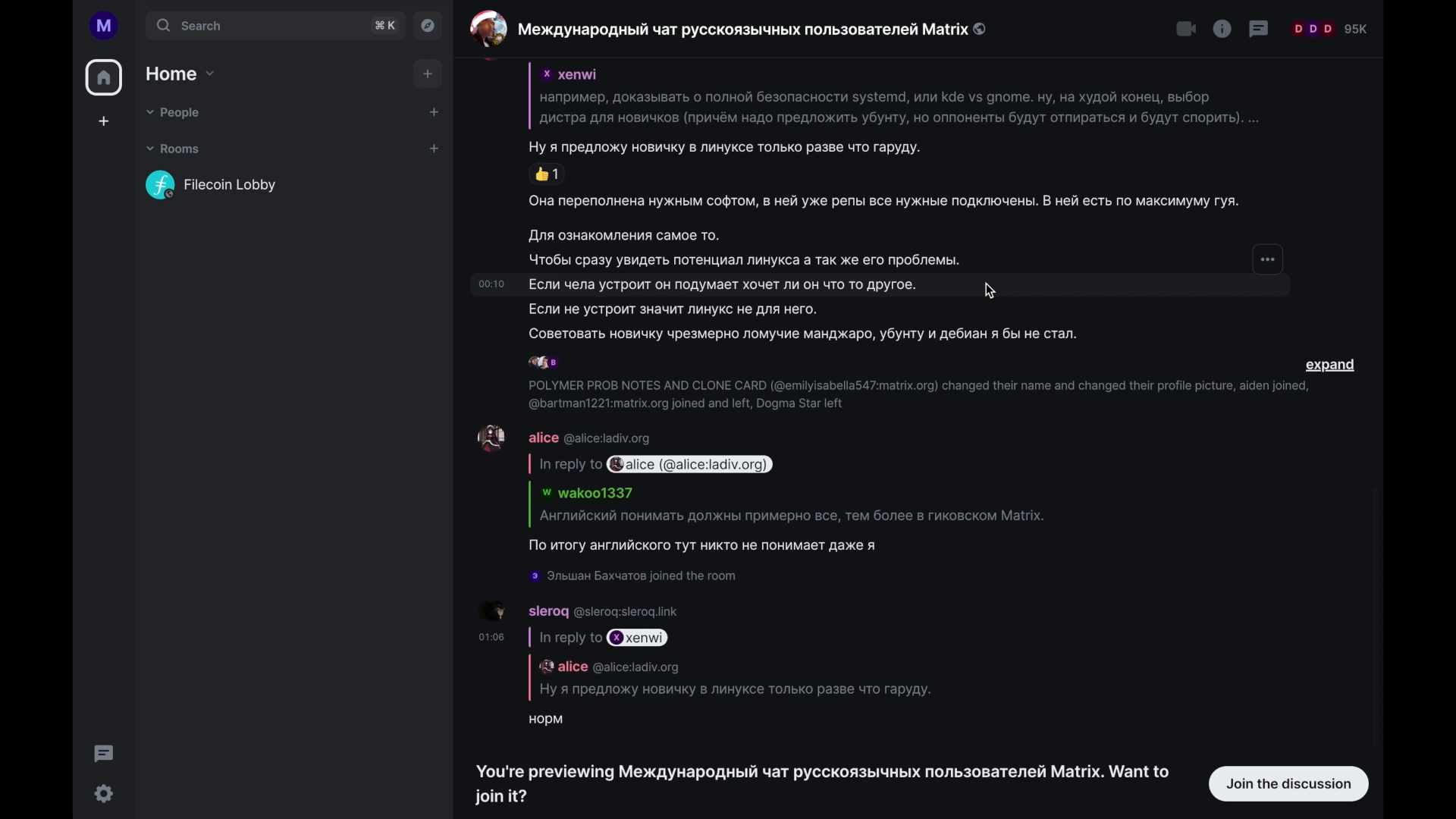 Image resolution: width=1456 pixels, height=819 pixels. Describe the element at coordinates (499, 613) in the screenshot. I see `sleroq display picture` at that location.